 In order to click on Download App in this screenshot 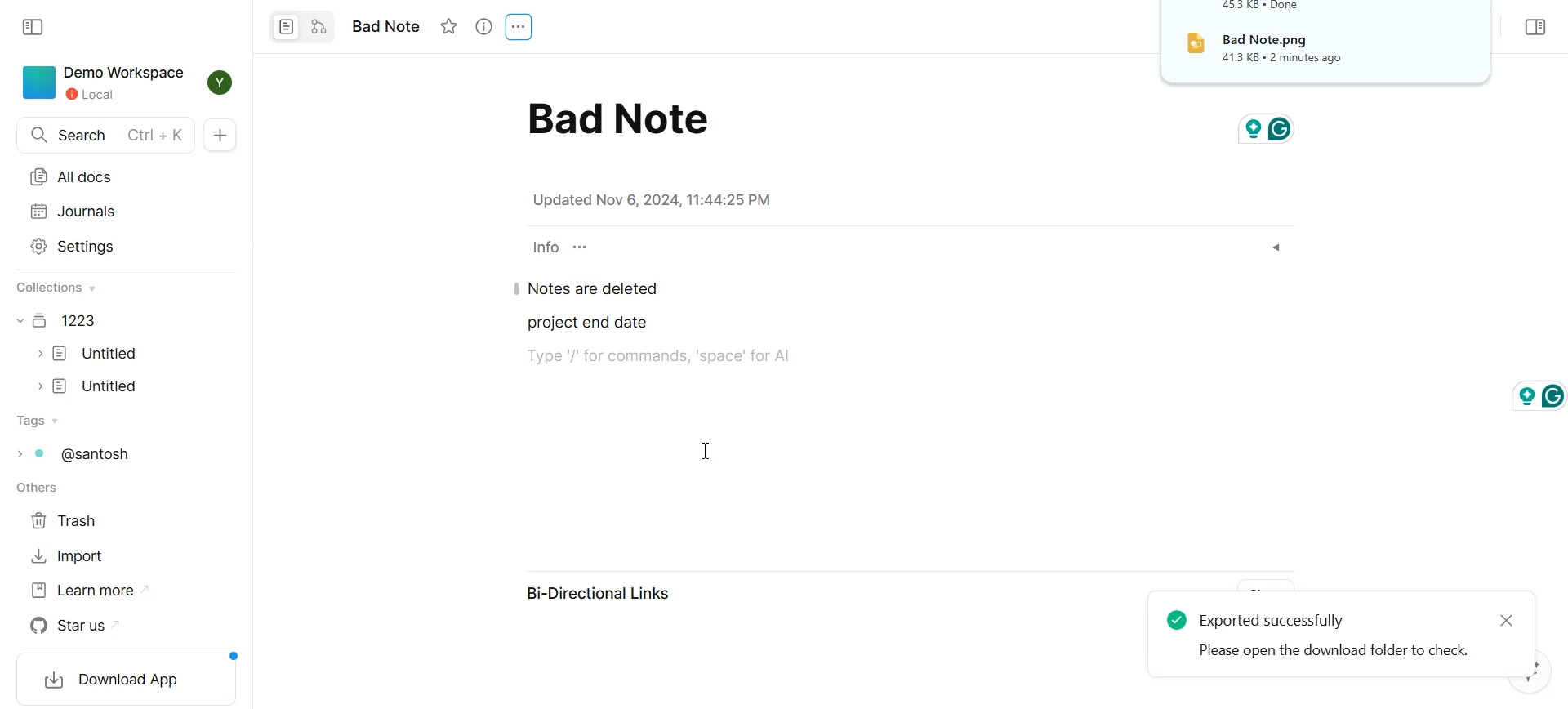, I will do `click(122, 680)`.